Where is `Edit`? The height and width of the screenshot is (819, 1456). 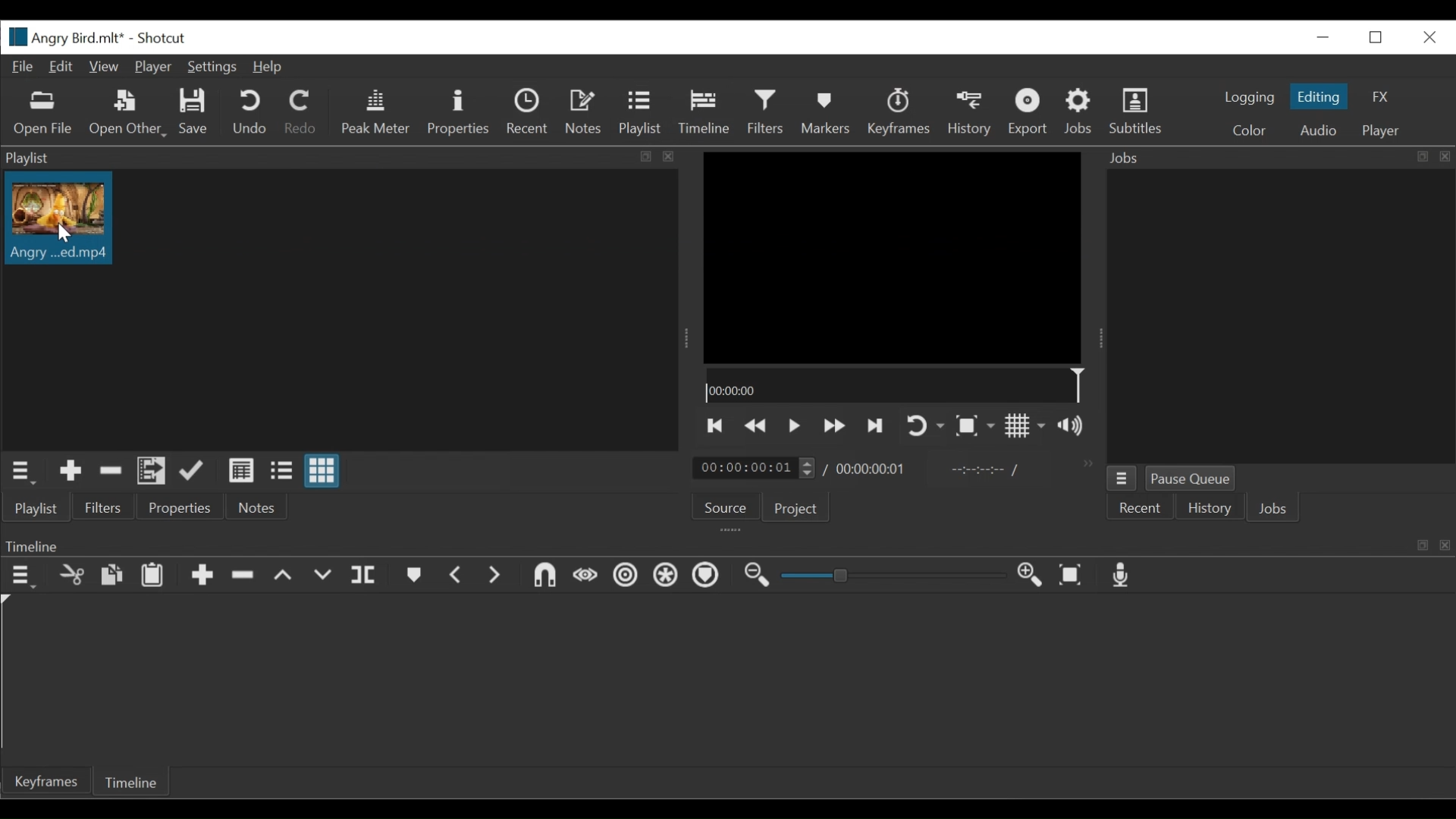 Edit is located at coordinates (61, 67).